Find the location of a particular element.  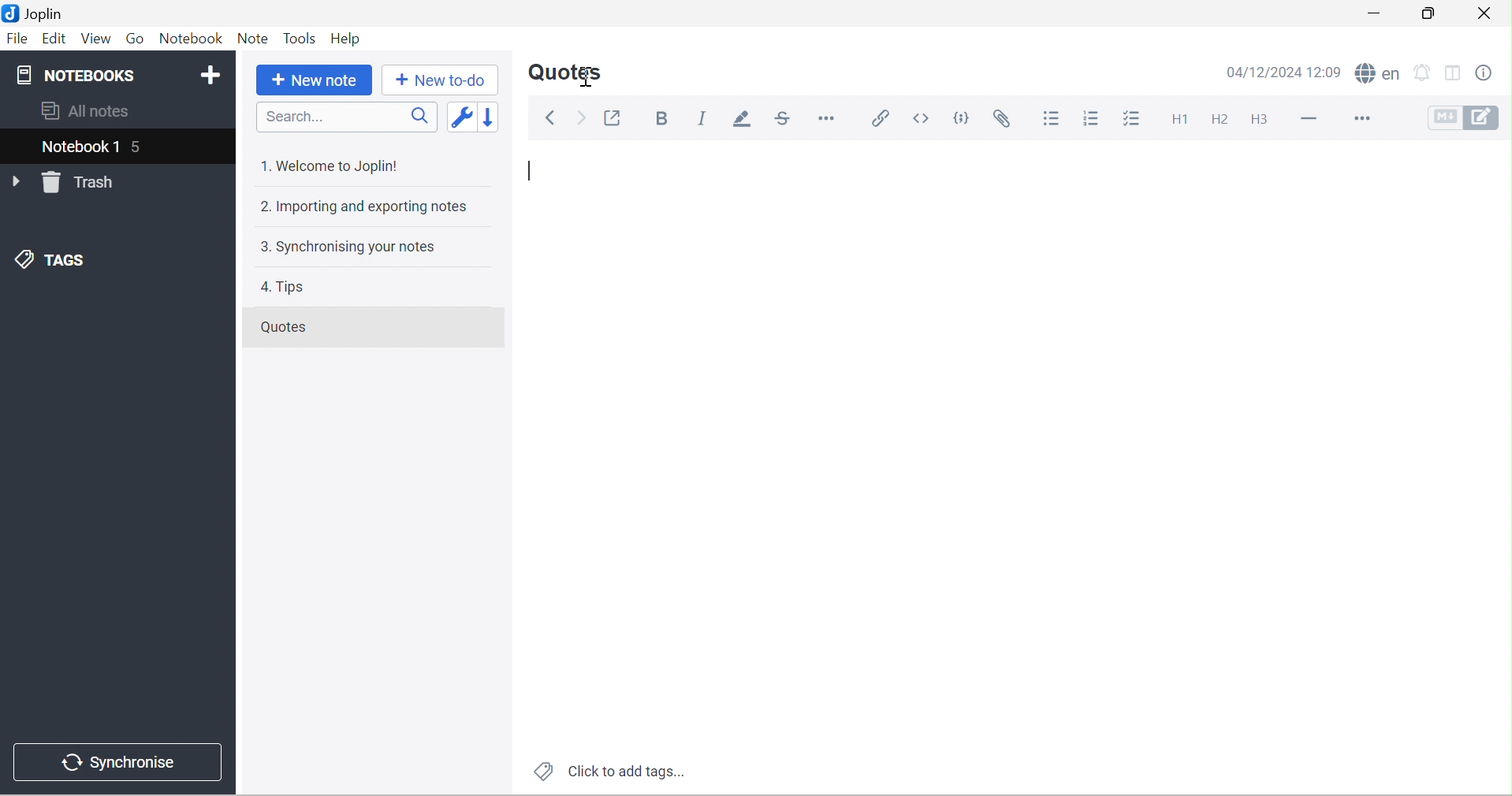

Bulleted list is located at coordinates (1052, 121).